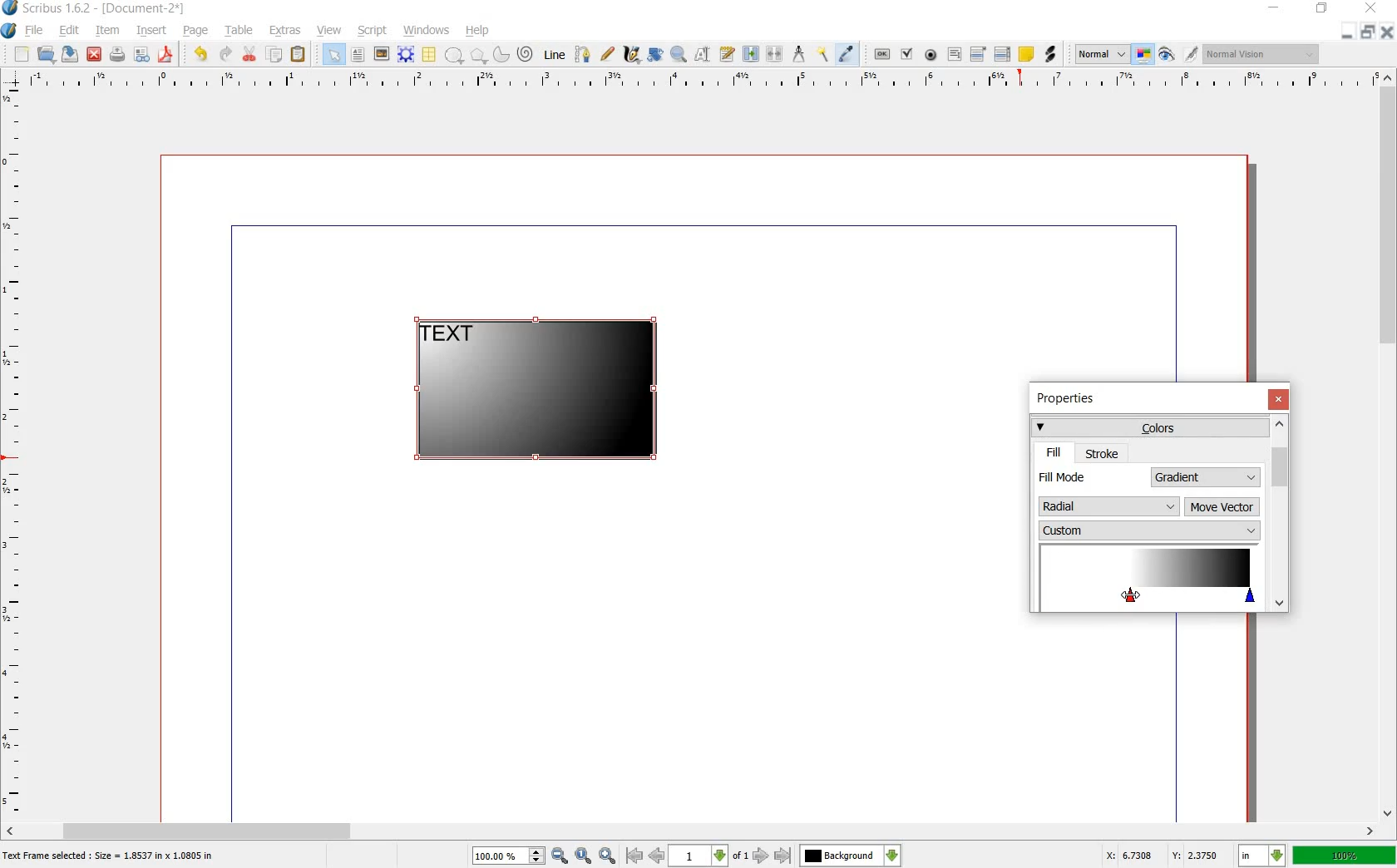 The height and width of the screenshot is (868, 1397). I want to click on ruler, so click(14, 452).